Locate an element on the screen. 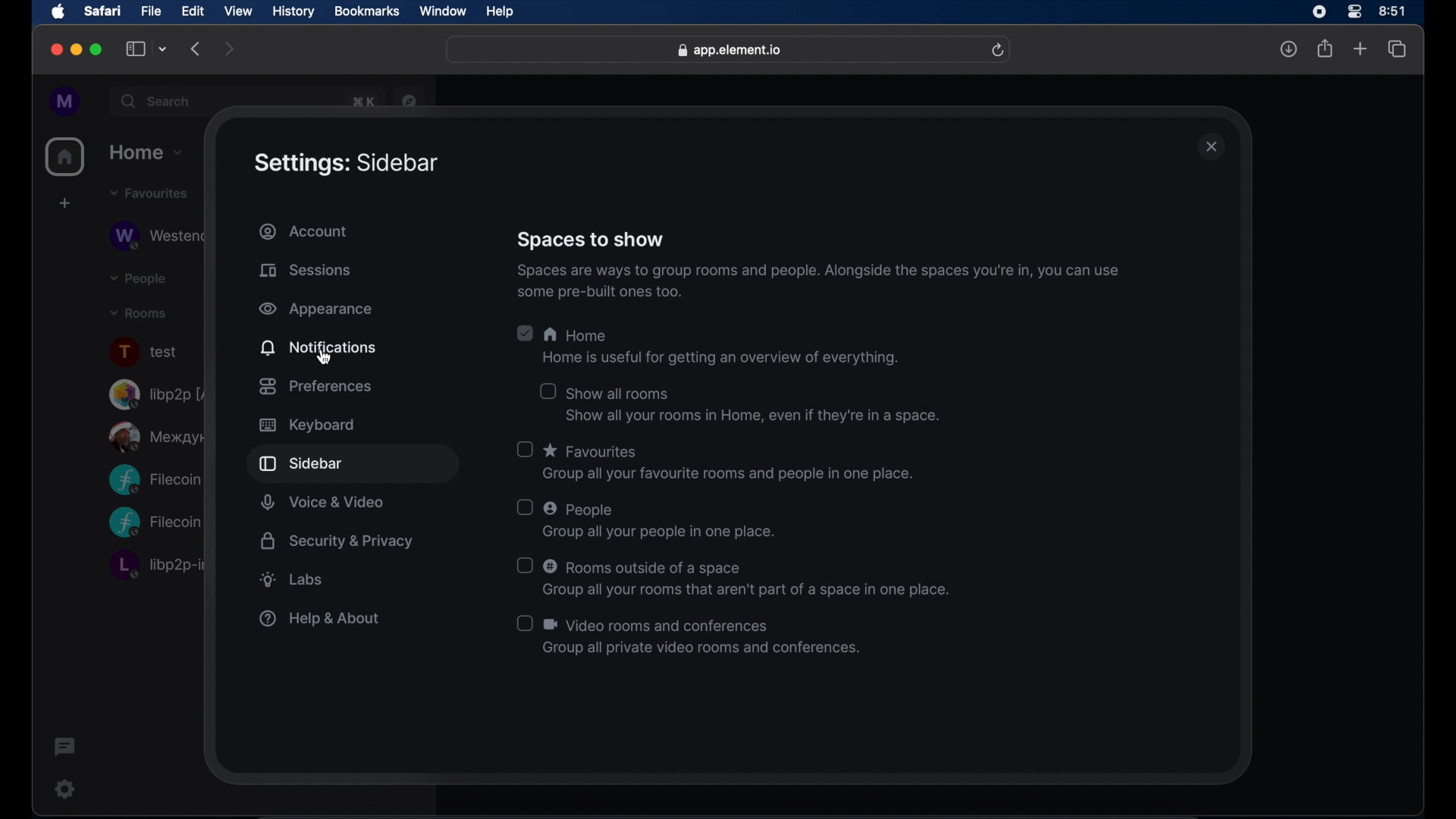 The width and height of the screenshot is (1456, 819). sessions is located at coordinates (305, 270).